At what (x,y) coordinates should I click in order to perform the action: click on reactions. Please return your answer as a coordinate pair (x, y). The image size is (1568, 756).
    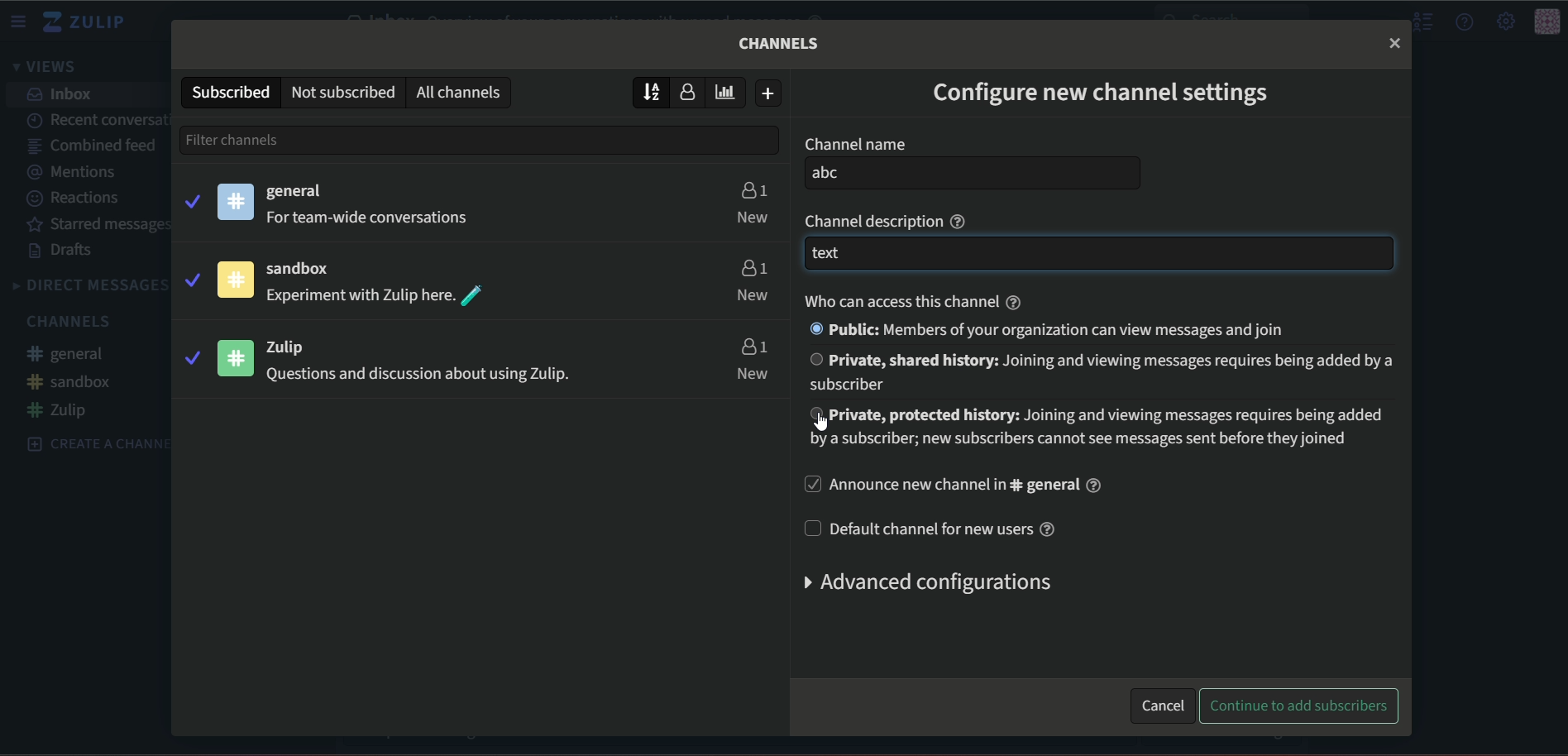
    Looking at the image, I should click on (76, 199).